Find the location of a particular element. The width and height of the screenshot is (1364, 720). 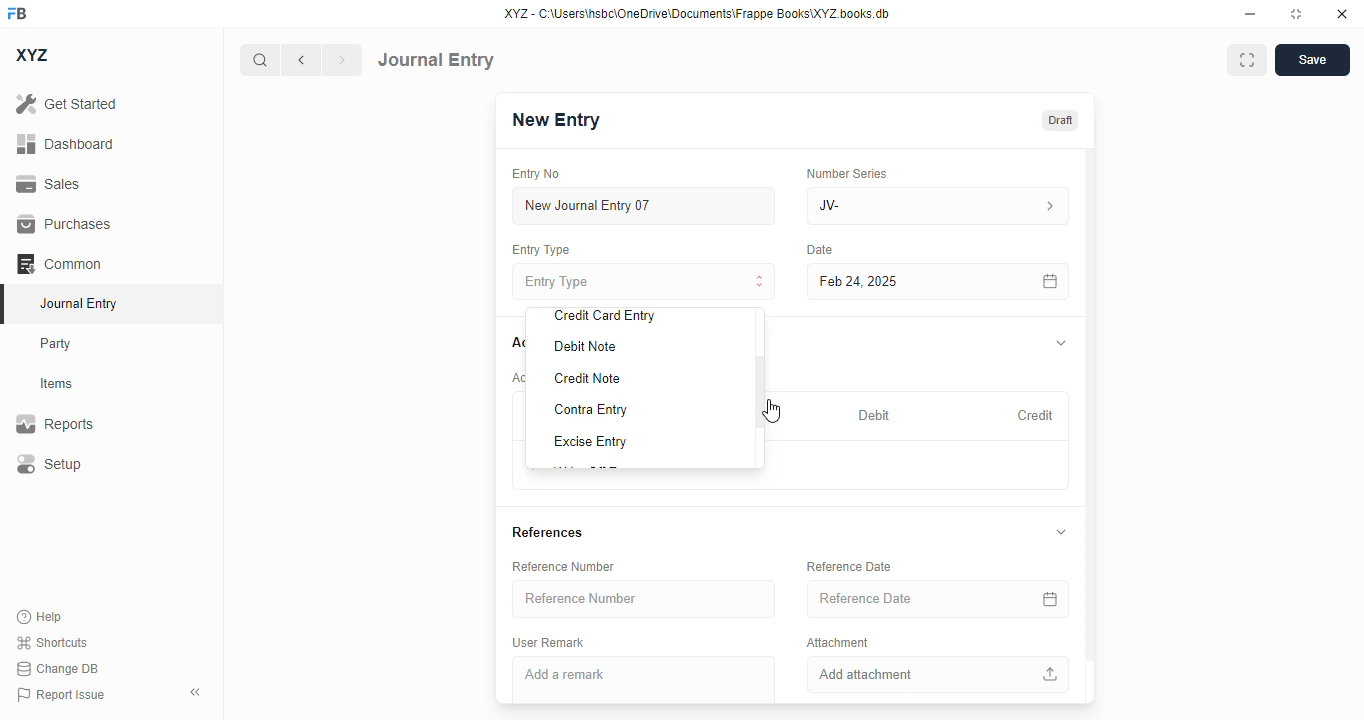

items is located at coordinates (57, 384).